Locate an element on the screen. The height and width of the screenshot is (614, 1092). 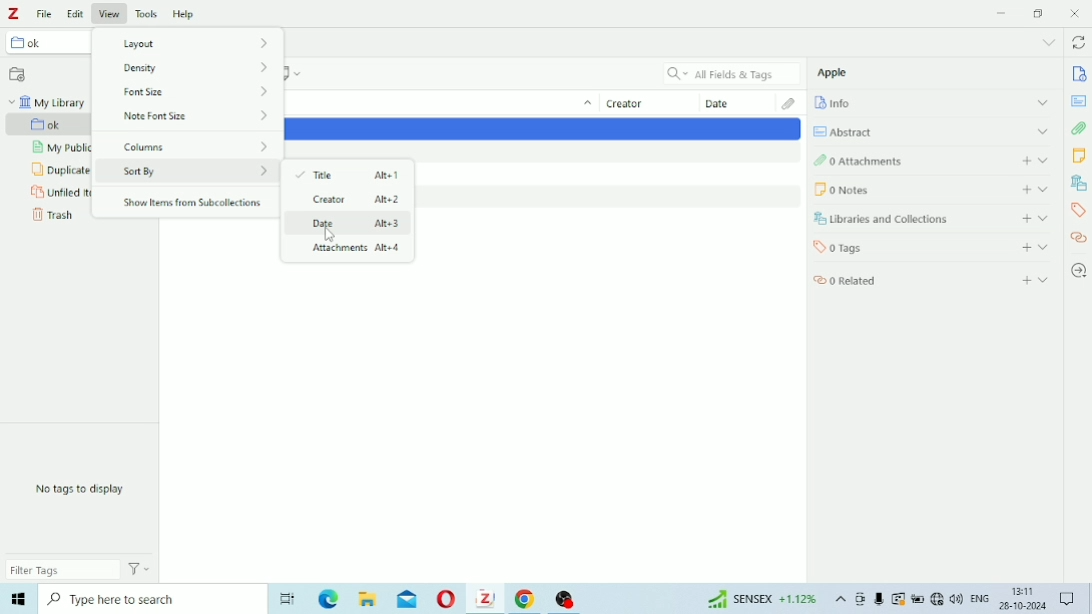
ok is located at coordinates (59, 124).